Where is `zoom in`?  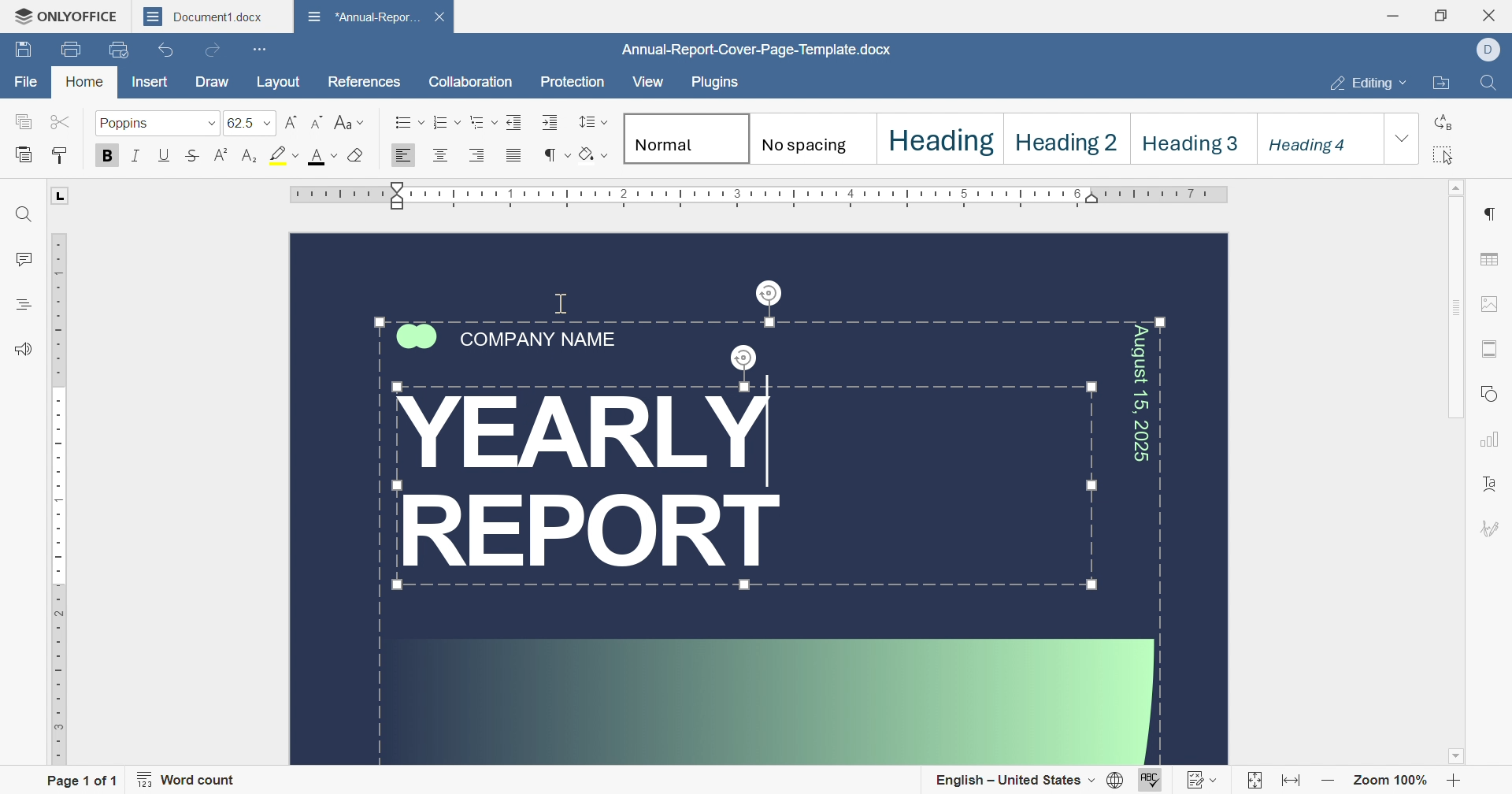
zoom in is located at coordinates (1453, 782).